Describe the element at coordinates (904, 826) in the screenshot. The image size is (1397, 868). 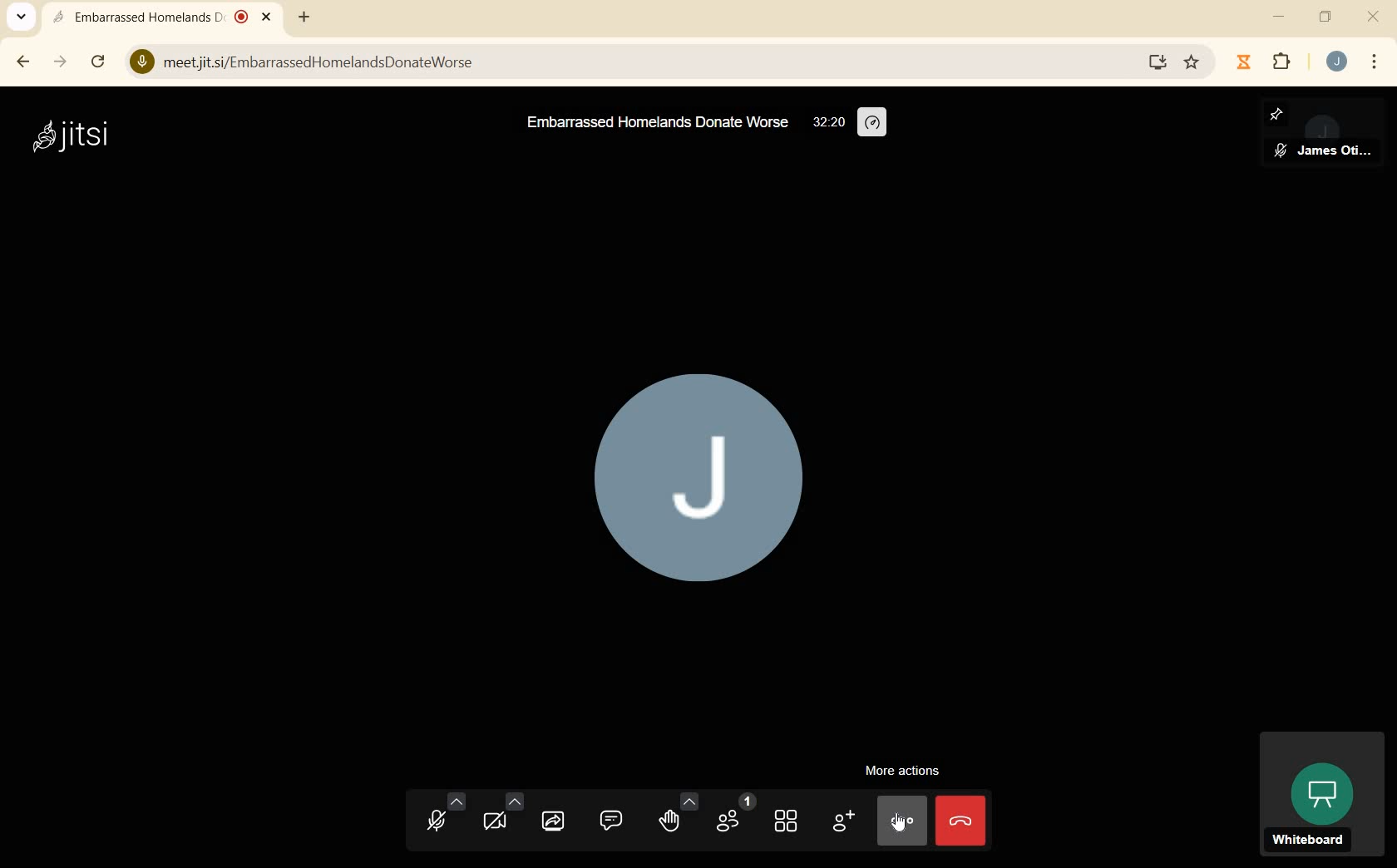
I see `cursor` at that location.